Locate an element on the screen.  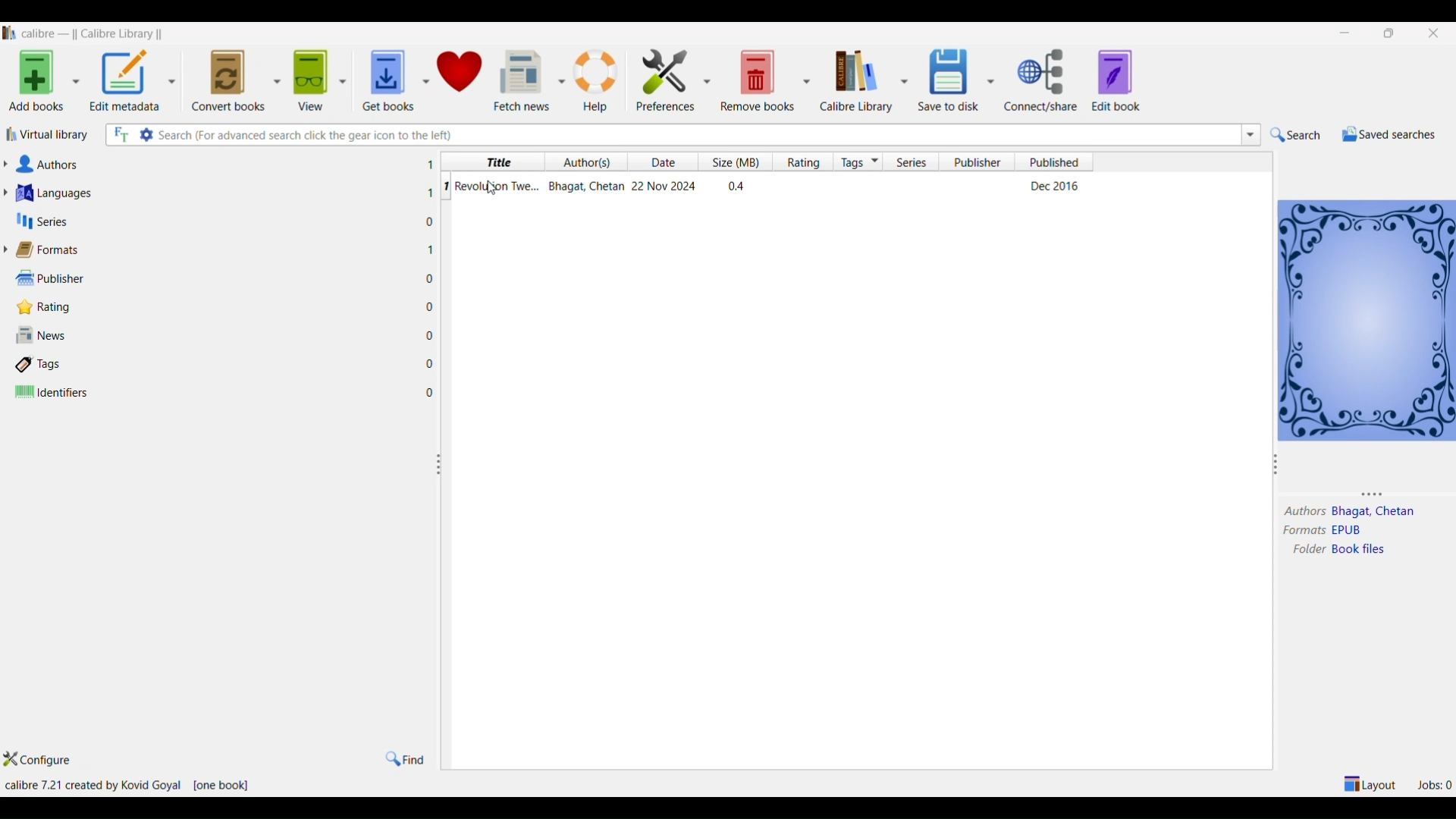
formats and number of formats is located at coordinates (56, 251).